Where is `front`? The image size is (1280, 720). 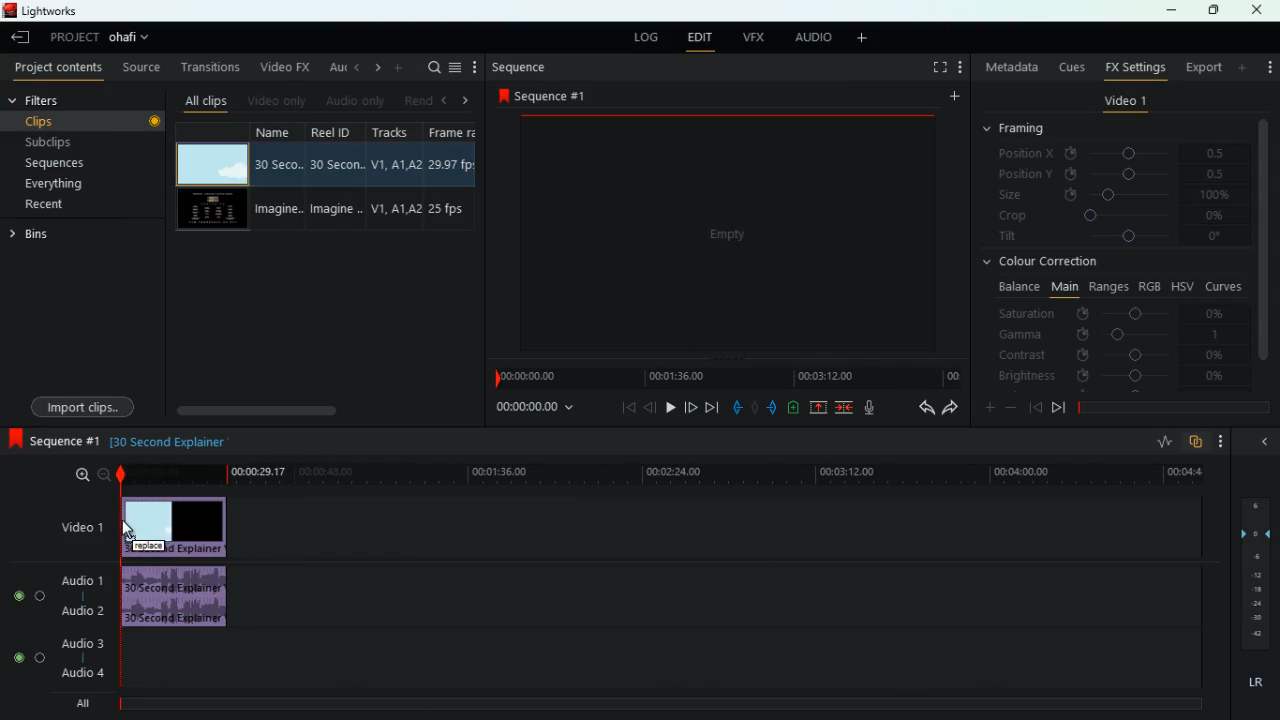
front is located at coordinates (1059, 407).